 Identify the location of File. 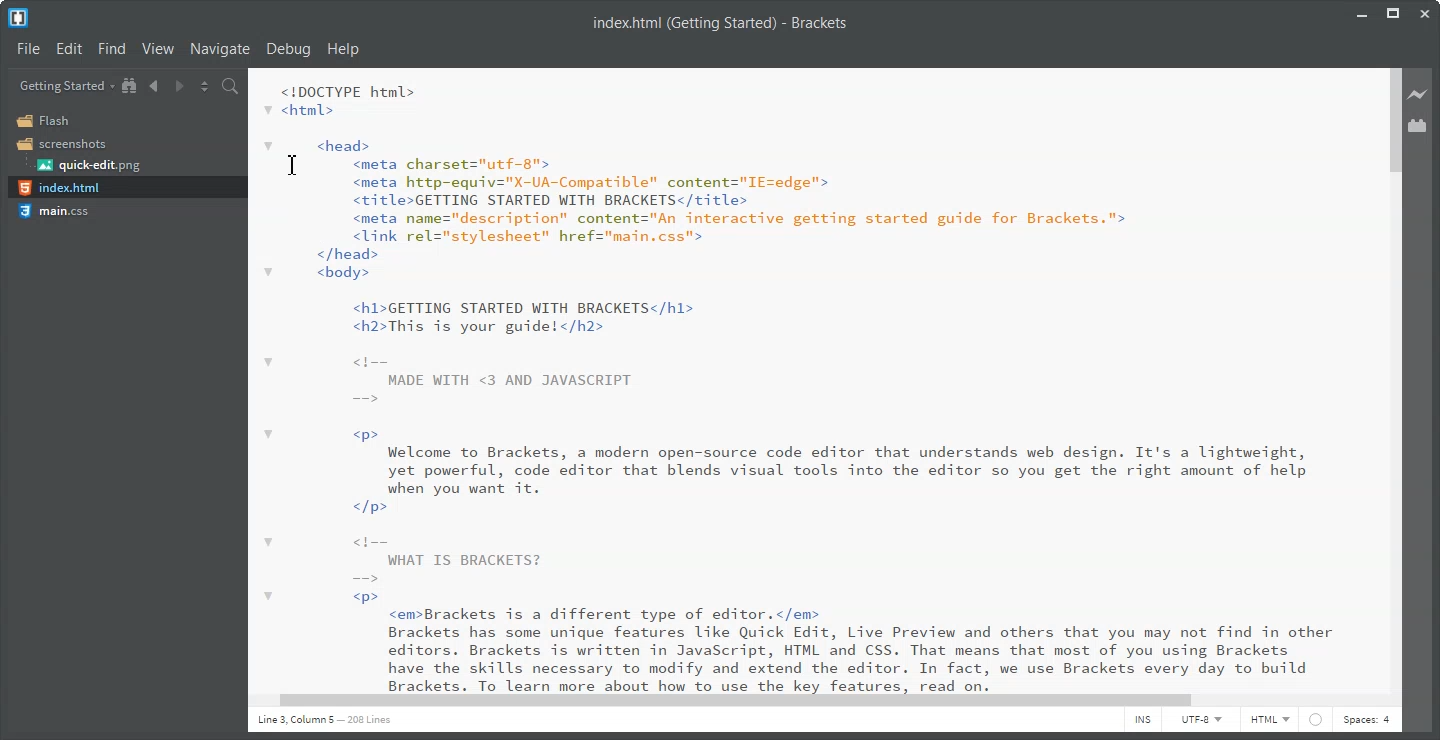
(28, 49).